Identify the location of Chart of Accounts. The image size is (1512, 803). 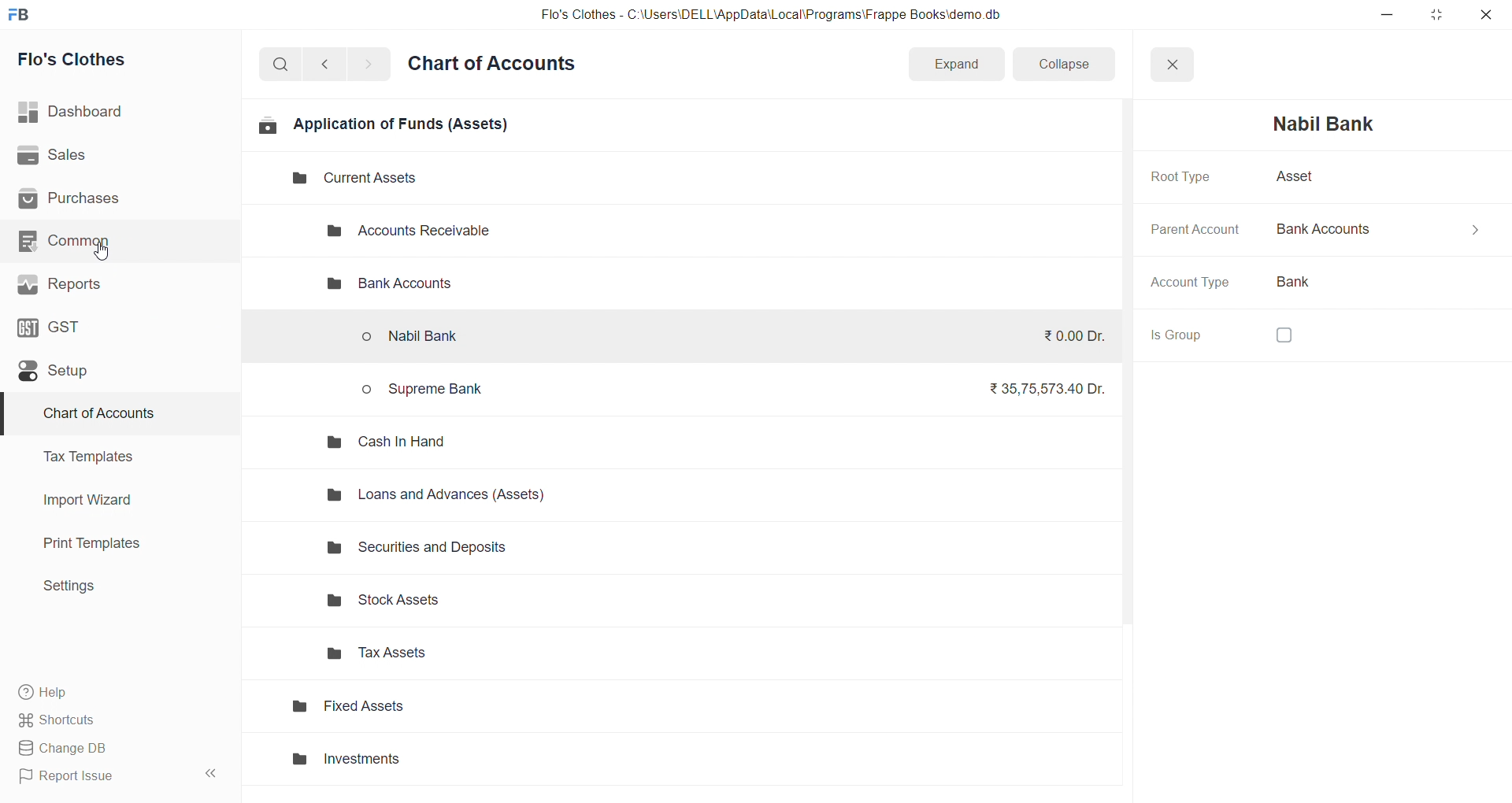
(496, 65).